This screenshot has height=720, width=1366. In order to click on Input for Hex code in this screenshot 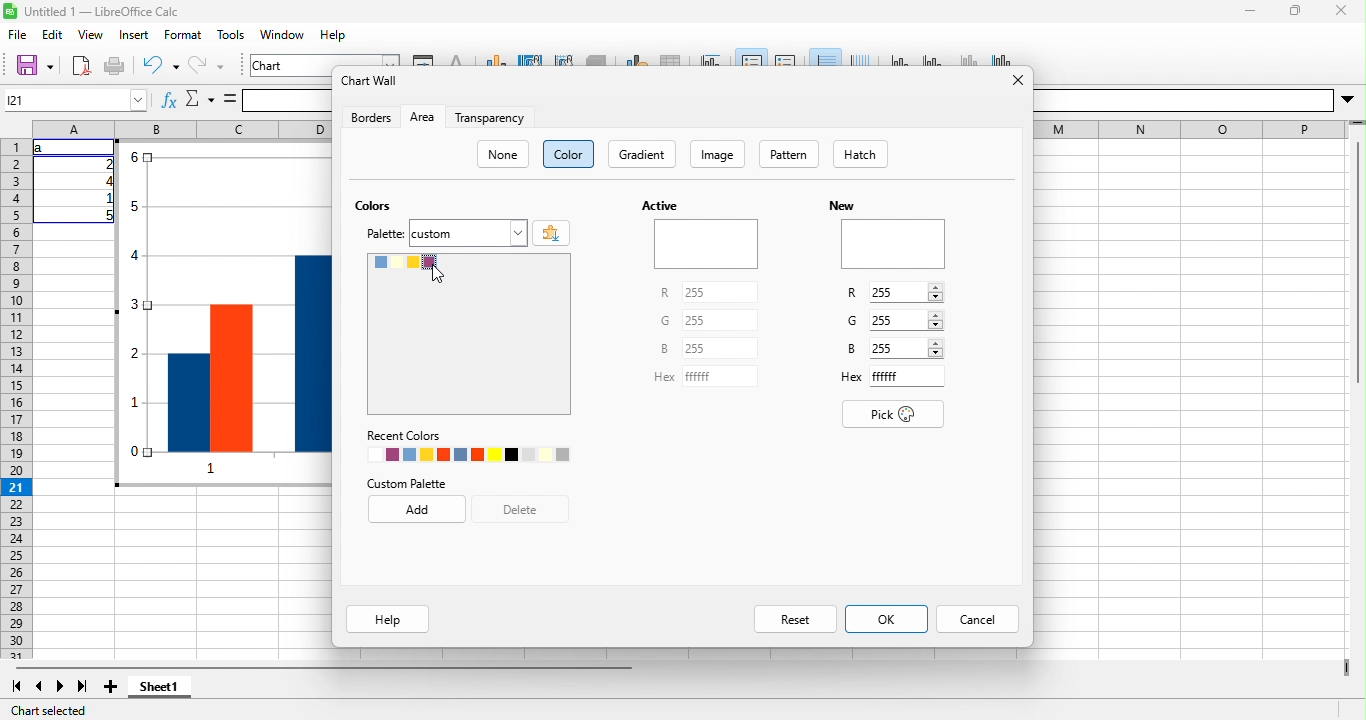, I will do `click(907, 376)`.